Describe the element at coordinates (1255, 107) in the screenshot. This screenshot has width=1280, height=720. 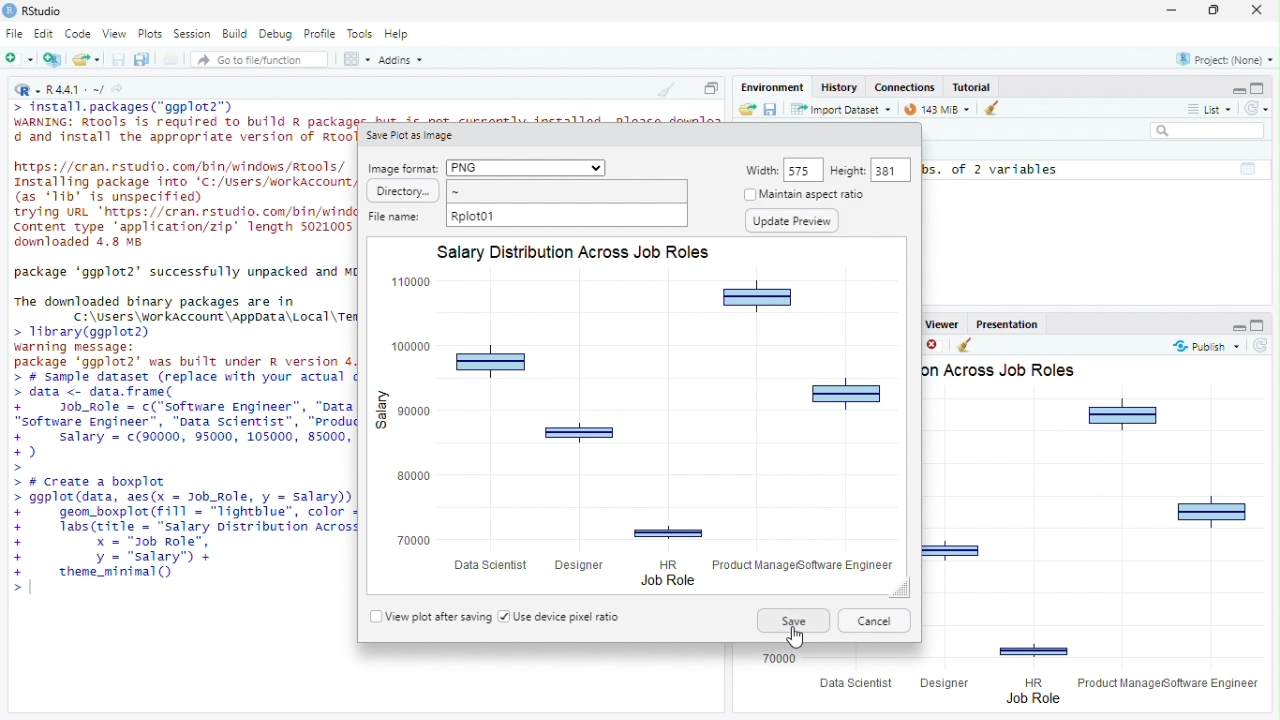
I see `Refresh option` at that location.